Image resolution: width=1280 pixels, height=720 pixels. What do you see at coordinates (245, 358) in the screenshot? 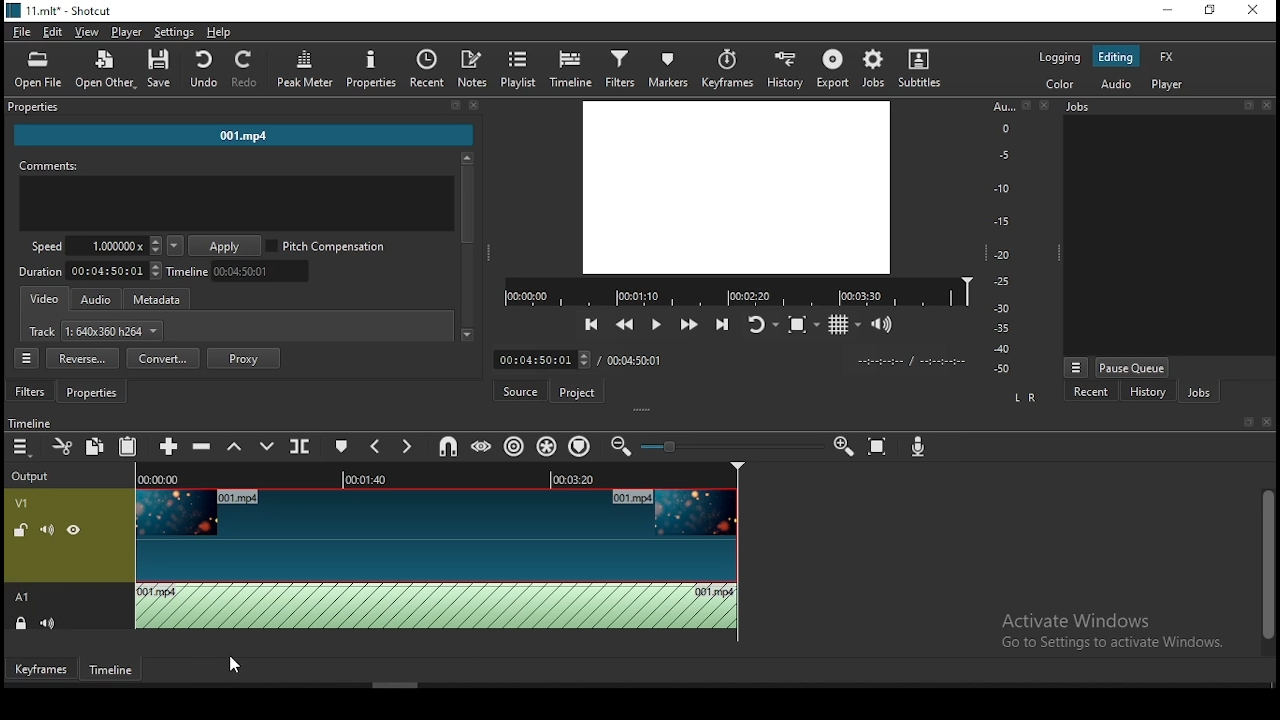
I see `proxy` at bounding box center [245, 358].